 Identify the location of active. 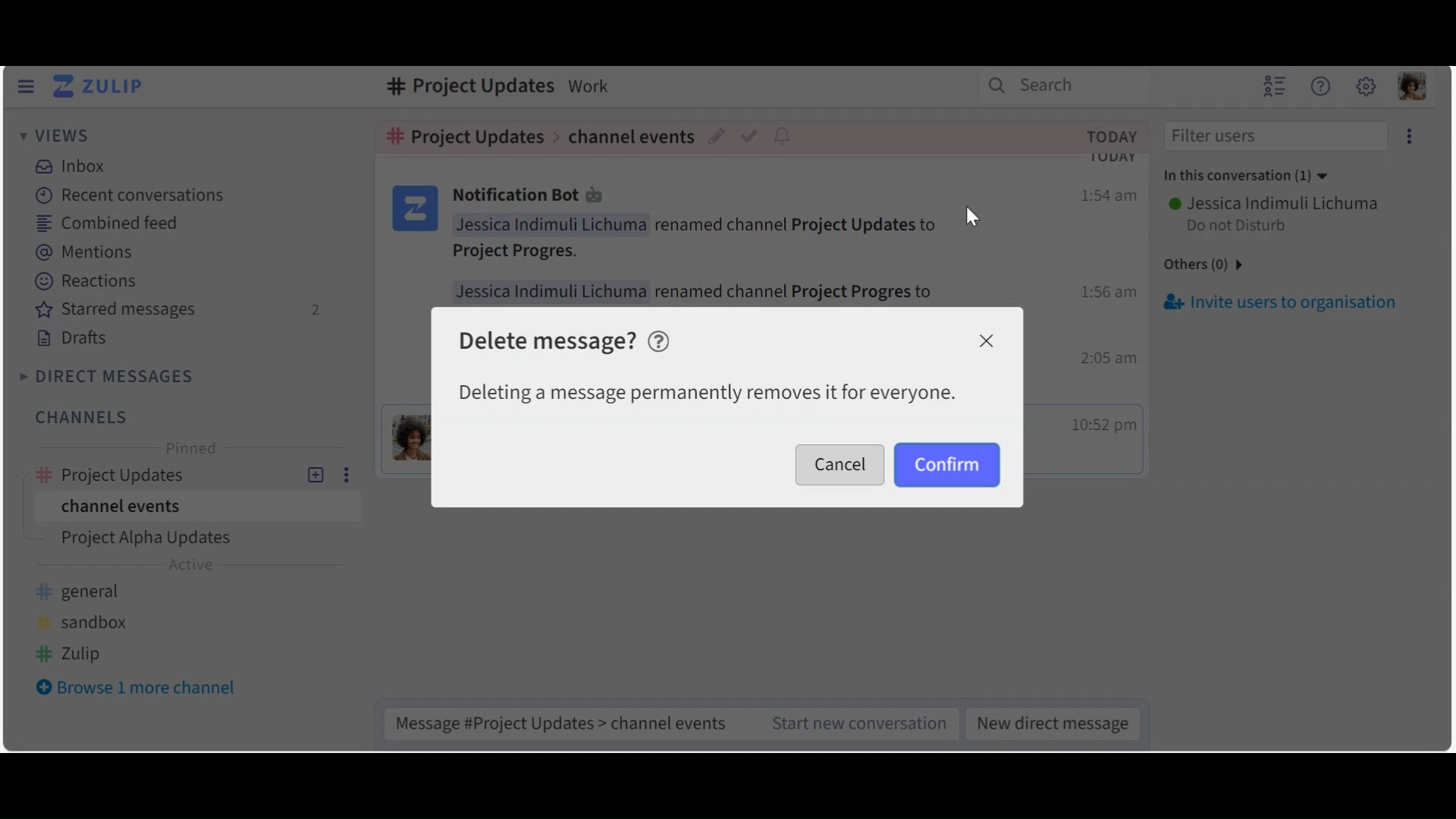
(195, 566).